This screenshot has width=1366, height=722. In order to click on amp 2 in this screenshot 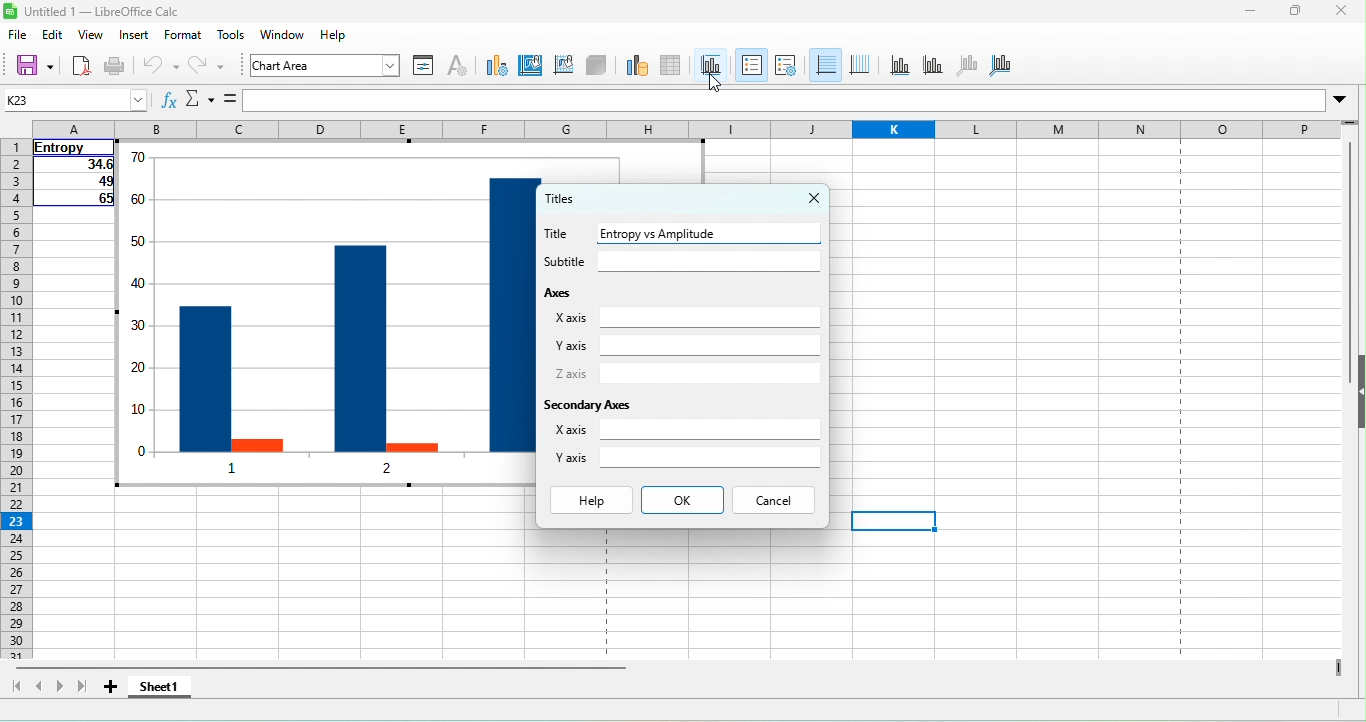, I will do `click(411, 443)`.